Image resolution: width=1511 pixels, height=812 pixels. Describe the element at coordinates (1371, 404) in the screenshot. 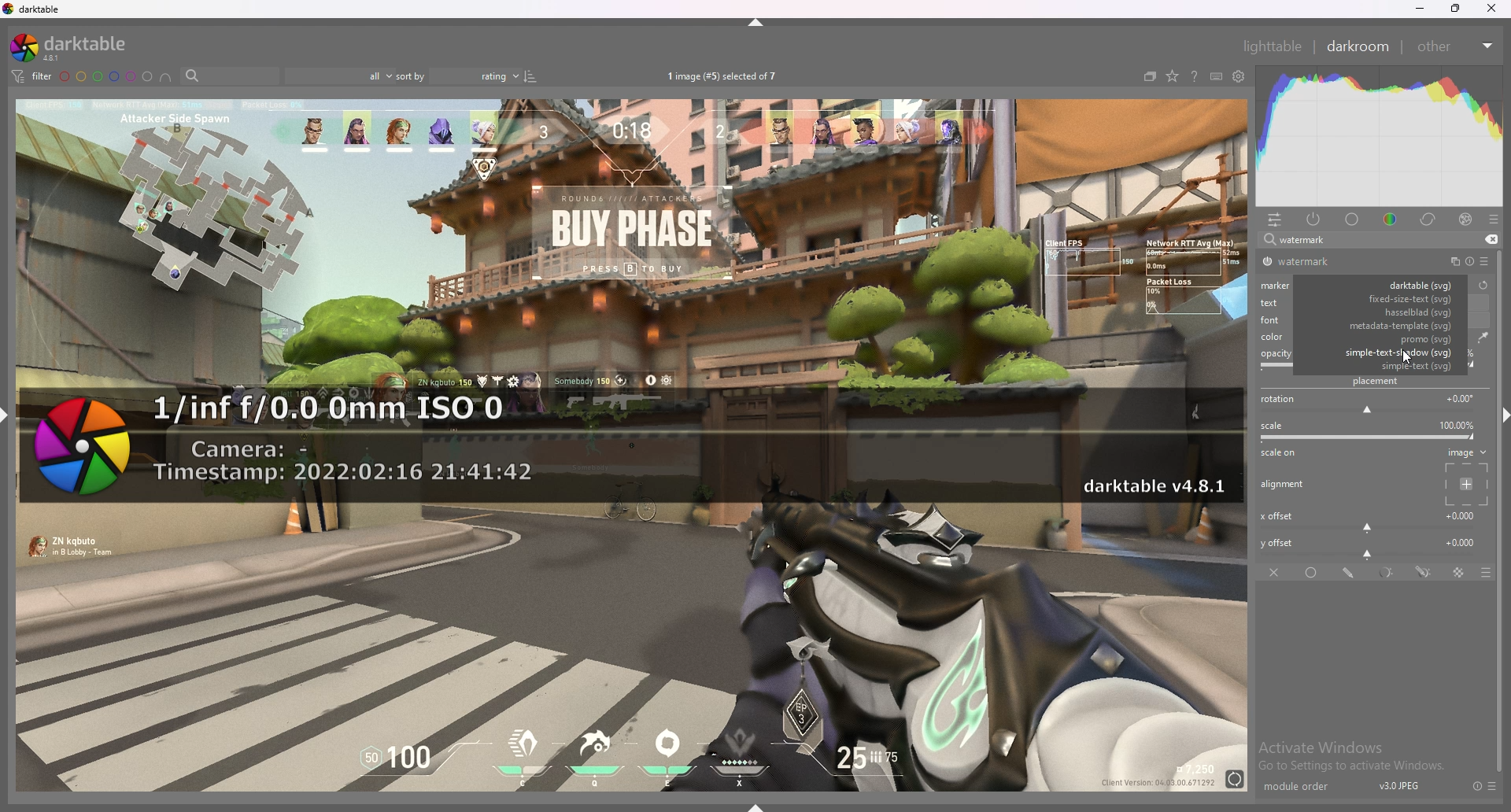

I see `rotation` at that location.